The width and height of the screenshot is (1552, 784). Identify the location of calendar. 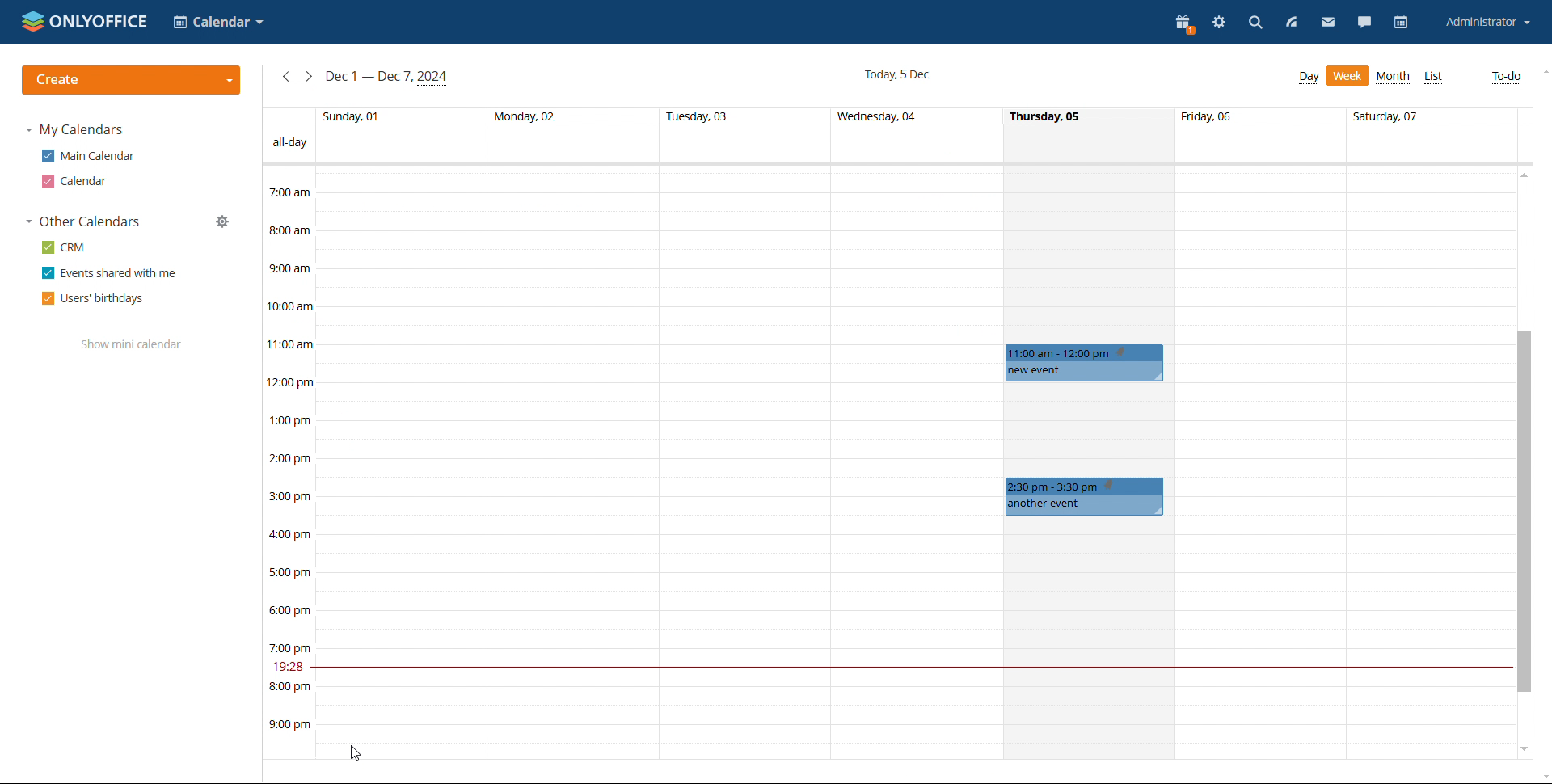
(77, 181).